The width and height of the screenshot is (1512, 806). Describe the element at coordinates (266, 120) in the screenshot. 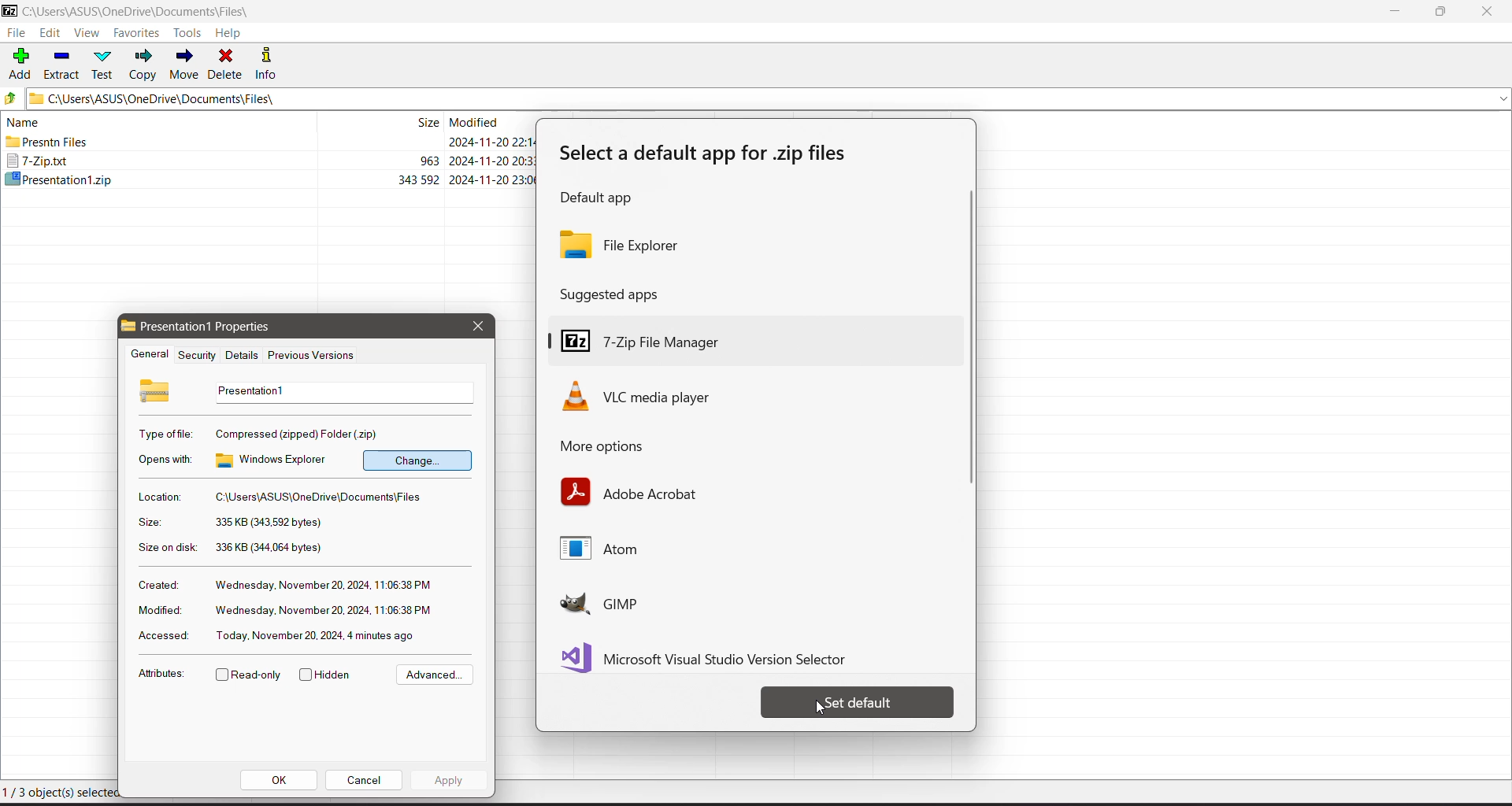

I see `Current Folder View` at that location.